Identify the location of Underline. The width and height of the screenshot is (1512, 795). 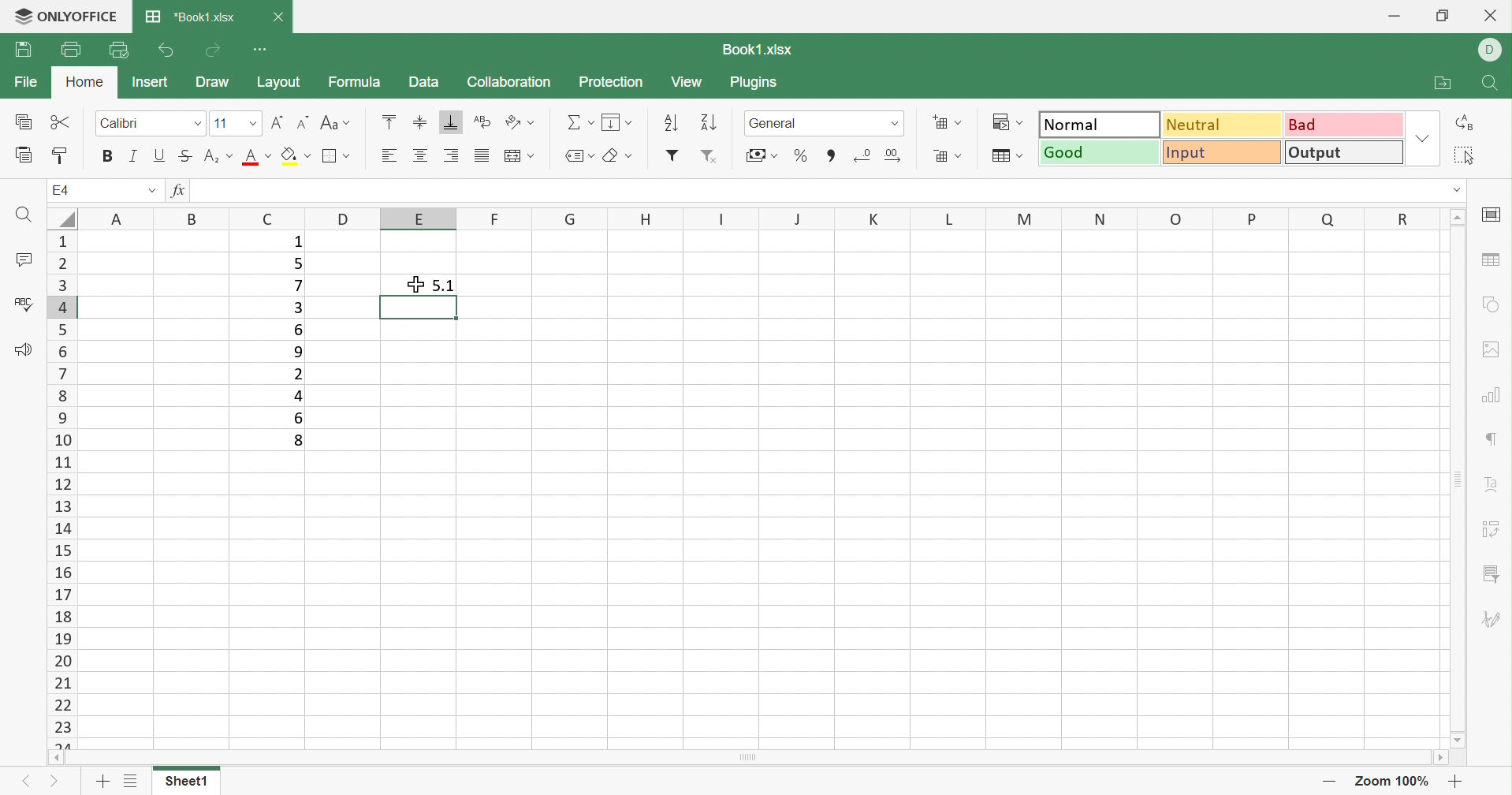
(161, 155).